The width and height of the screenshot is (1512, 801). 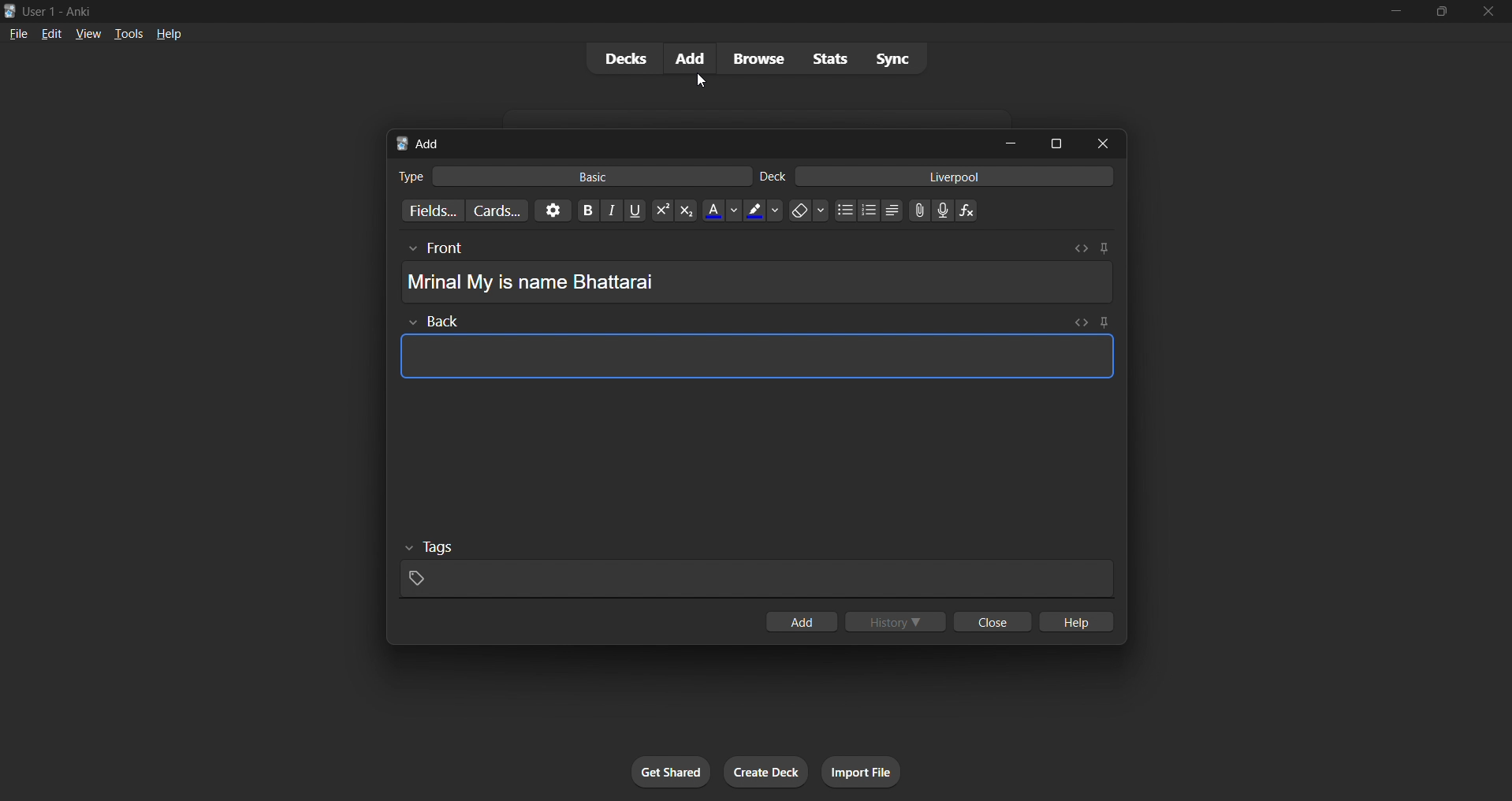 I want to click on customize card templates, so click(x=498, y=210).